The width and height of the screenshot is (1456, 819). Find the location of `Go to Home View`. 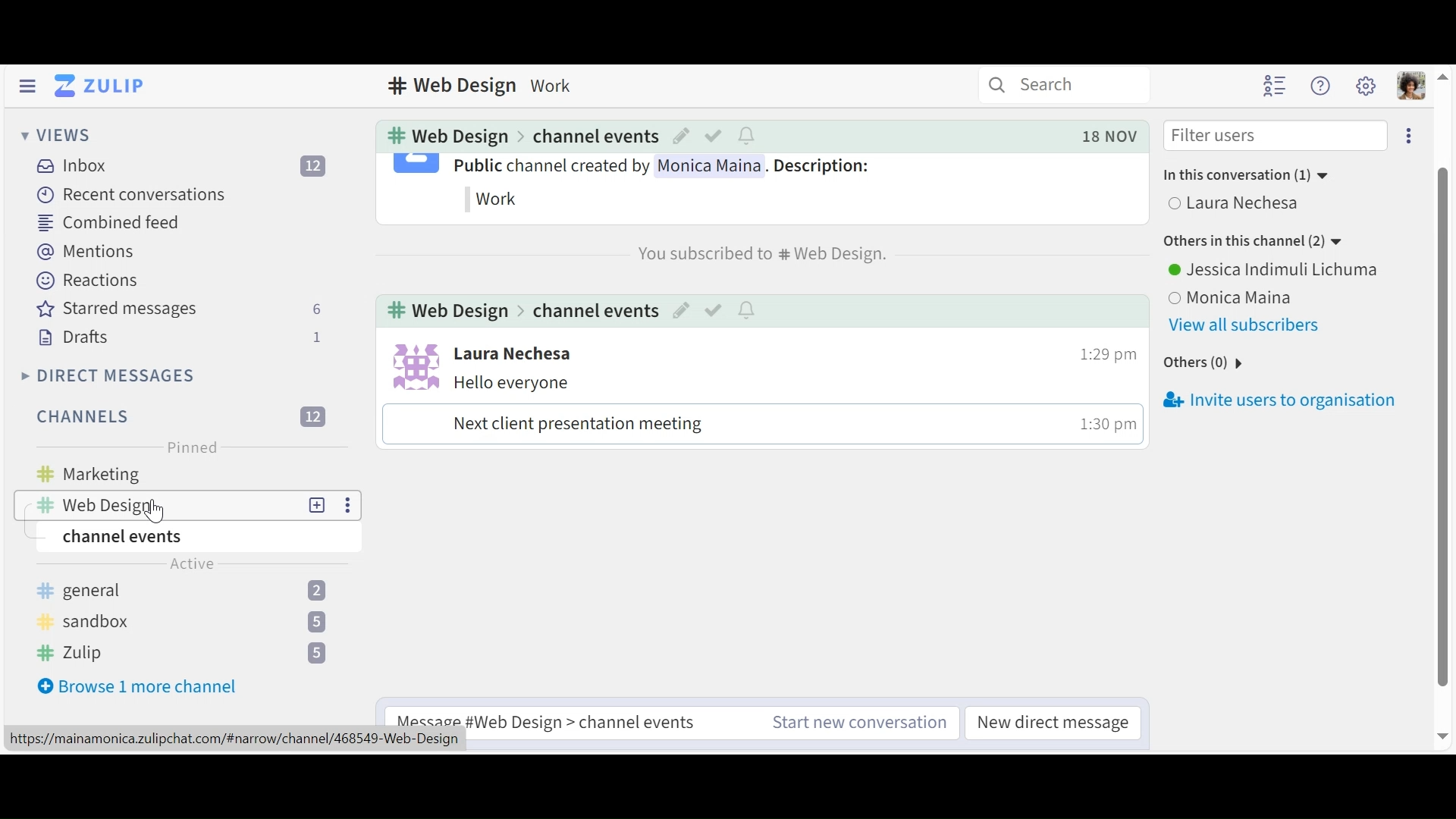

Go to Home View is located at coordinates (101, 87).